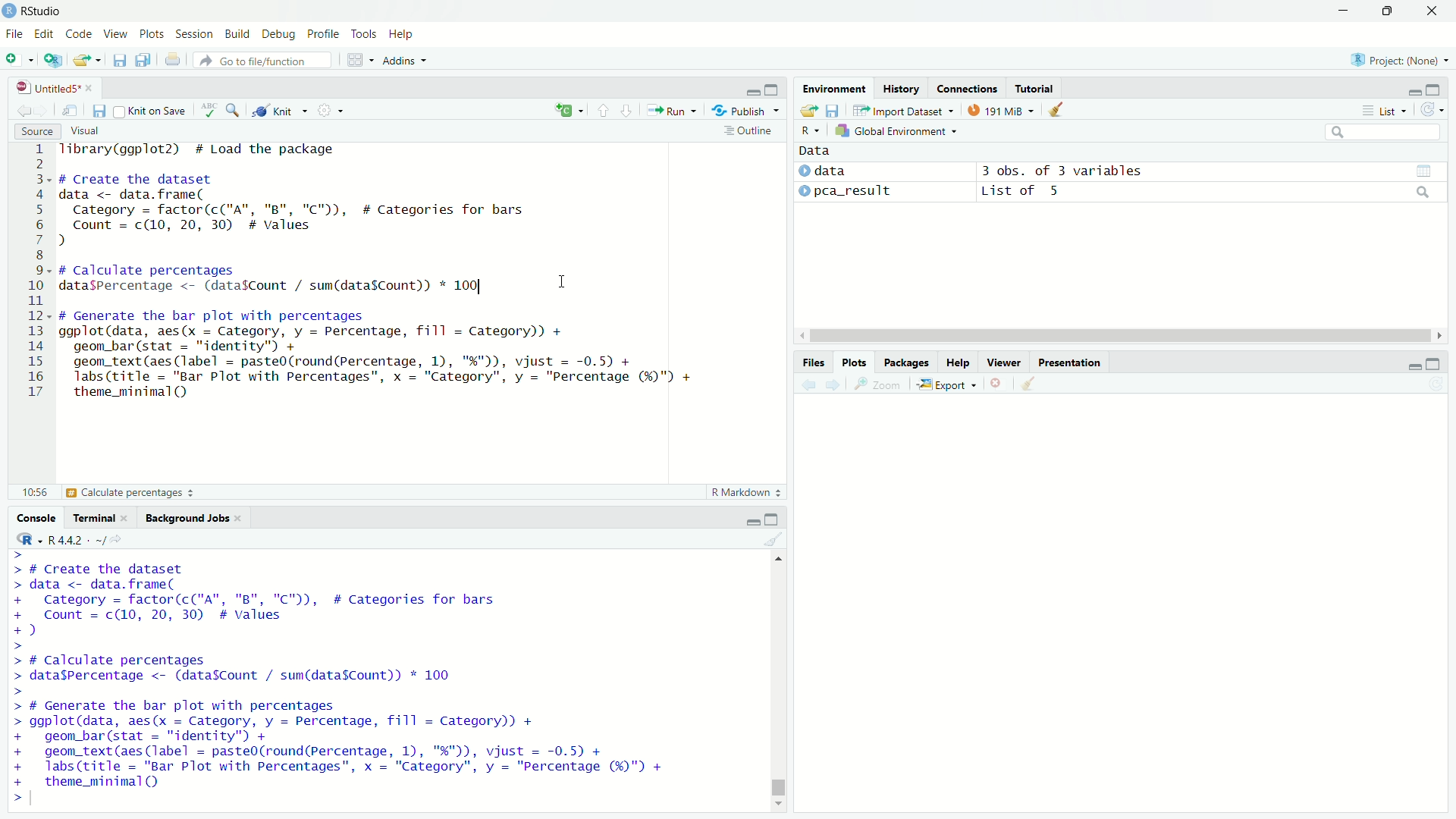 The width and height of the screenshot is (1456, 819). What do you see at coordinates (808, 111) in the screenshot?
I see `load workspace` at bounding box center [808, 111].